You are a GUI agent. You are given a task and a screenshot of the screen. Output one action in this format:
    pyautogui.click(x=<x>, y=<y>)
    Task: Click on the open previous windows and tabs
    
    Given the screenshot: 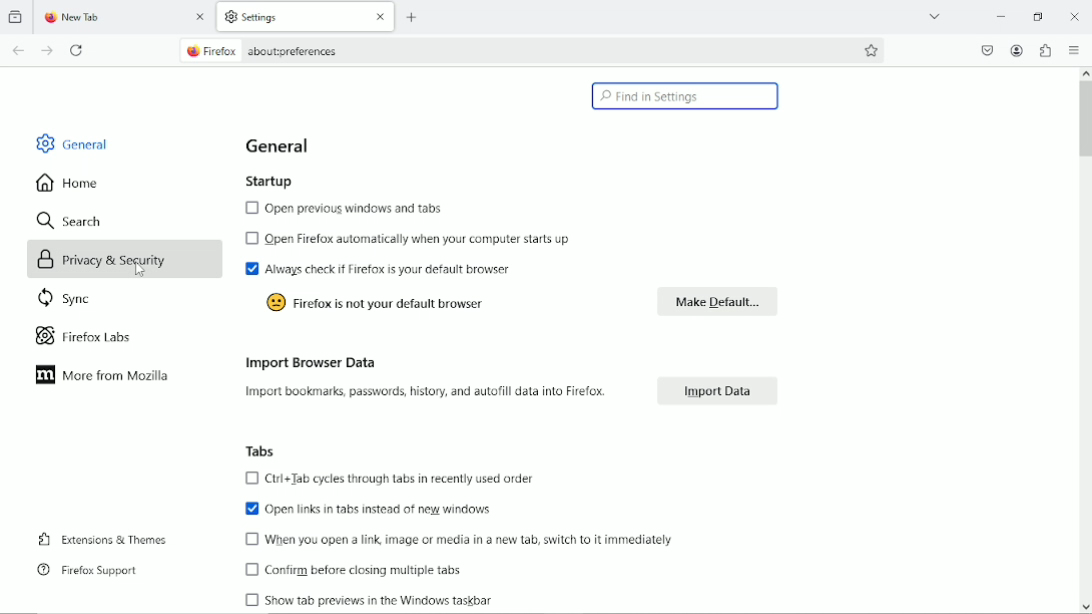 What is the action you would take?
    pyautogui.click(x=369, y=209)
    